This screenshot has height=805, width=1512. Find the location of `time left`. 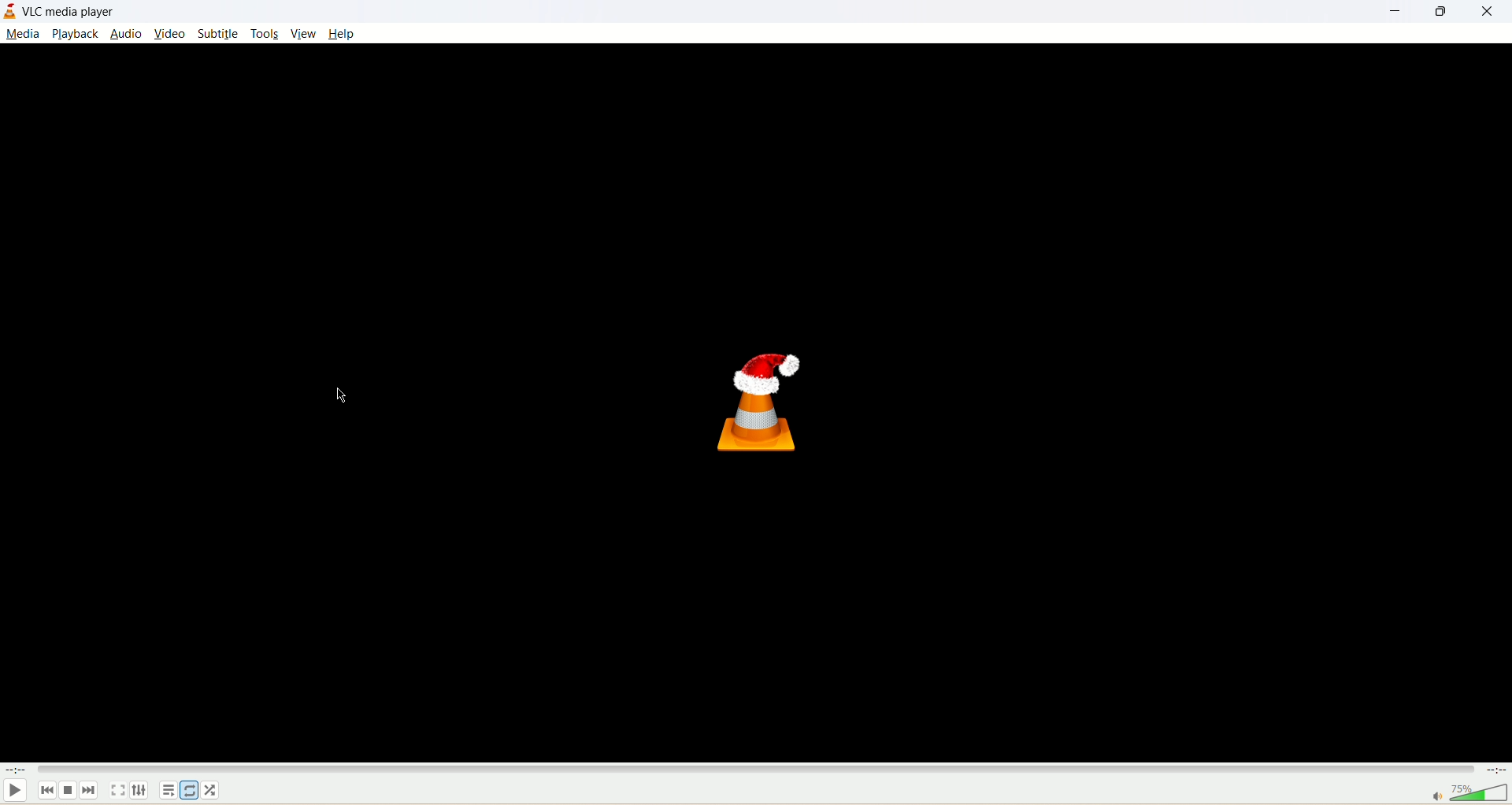

time left is located at coordinates (1496, 770).